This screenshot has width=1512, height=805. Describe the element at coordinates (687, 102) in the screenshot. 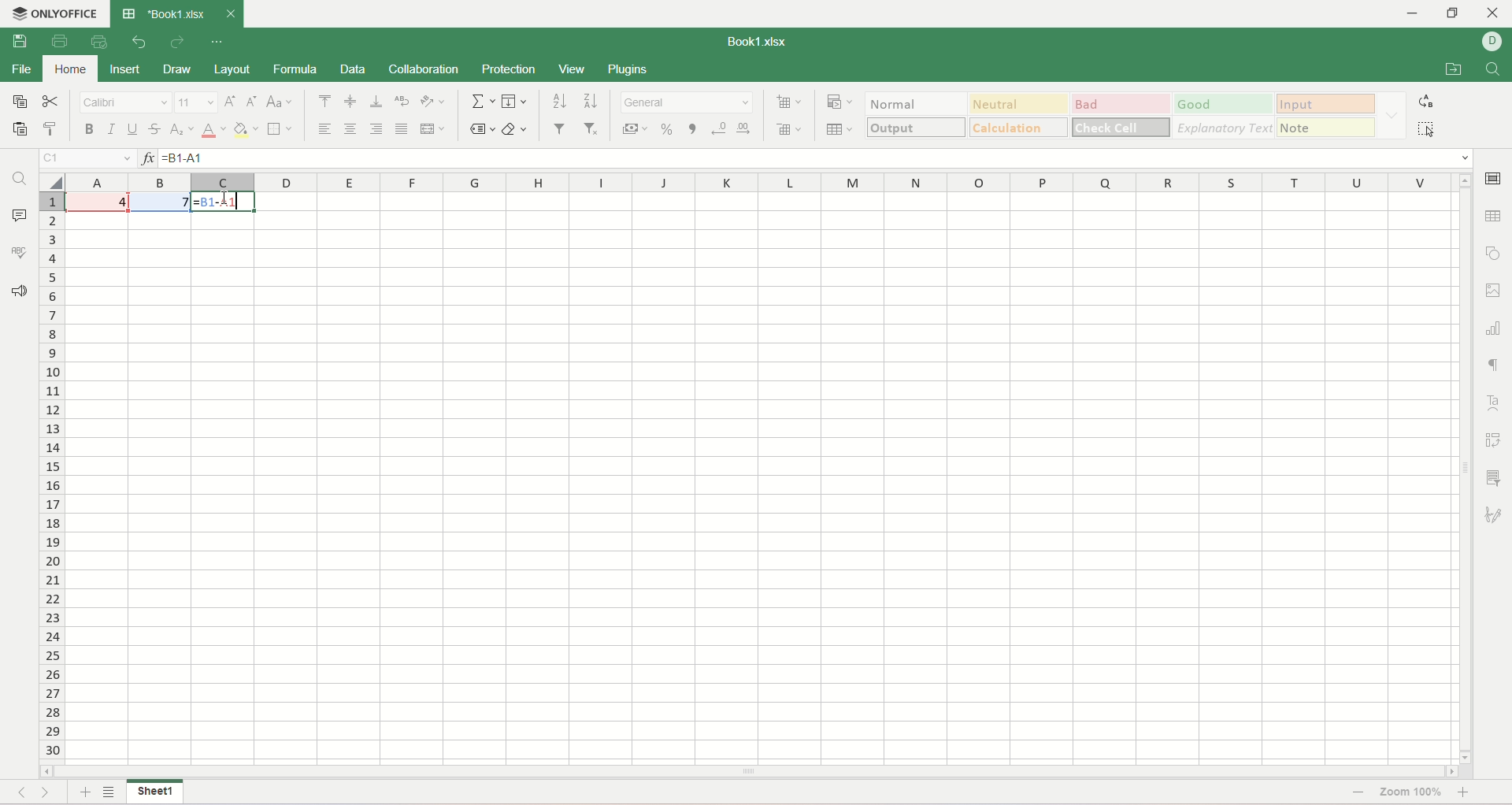

I see `number format` at that location.